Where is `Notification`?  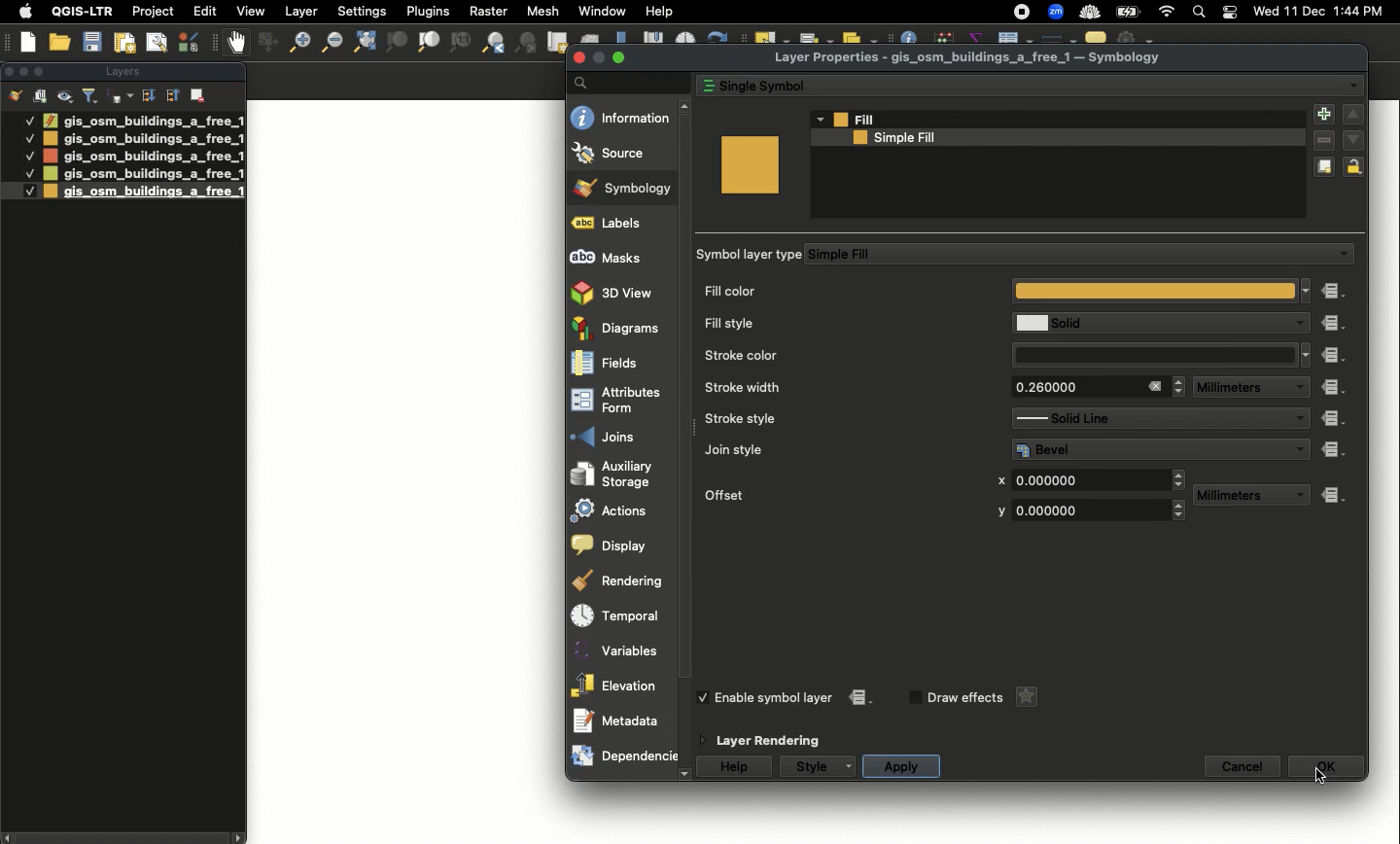
Notification is located at coordinates (1227, 13).